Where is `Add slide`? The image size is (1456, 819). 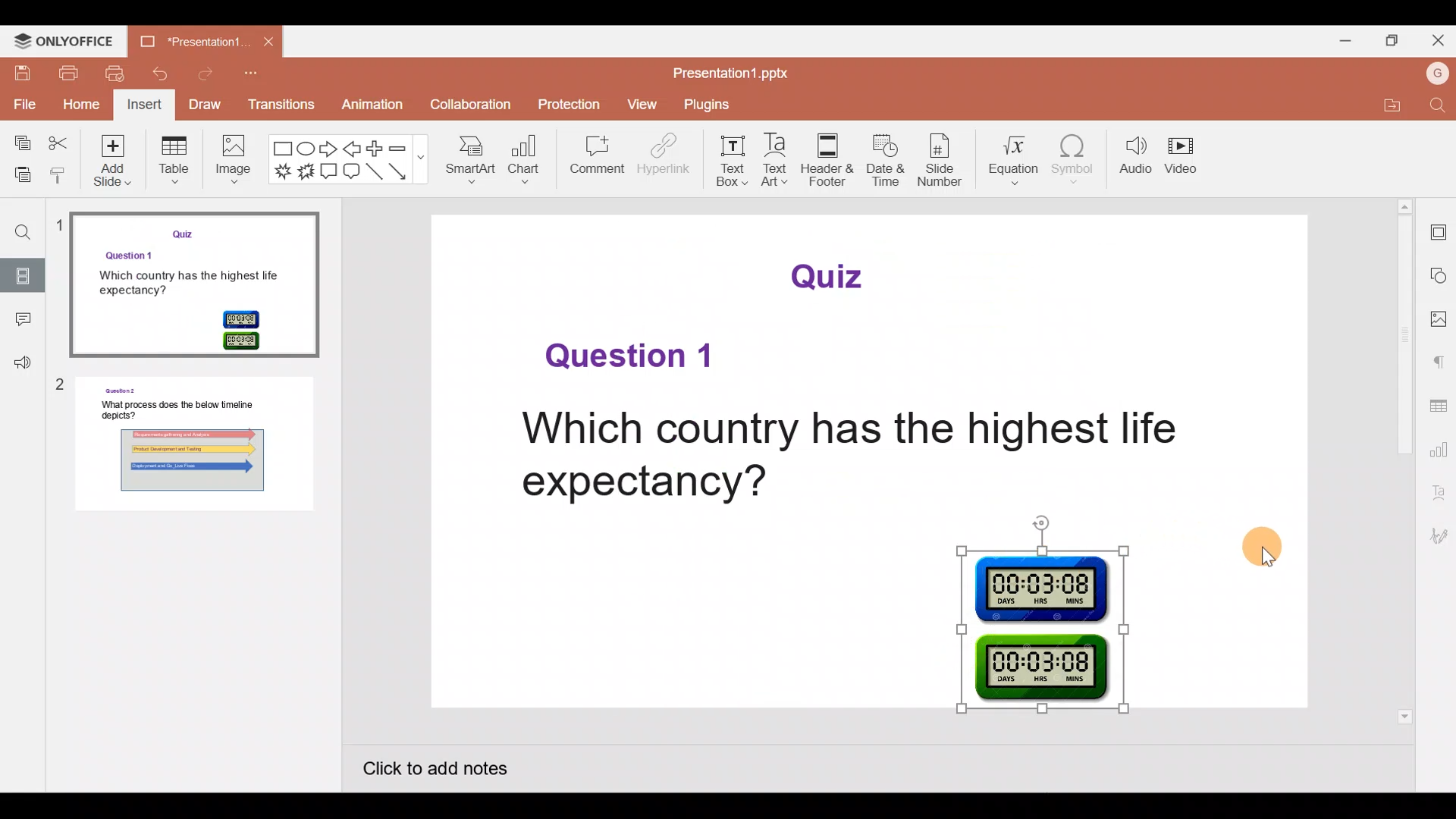 Add slide is located at coordinates (115, 165).